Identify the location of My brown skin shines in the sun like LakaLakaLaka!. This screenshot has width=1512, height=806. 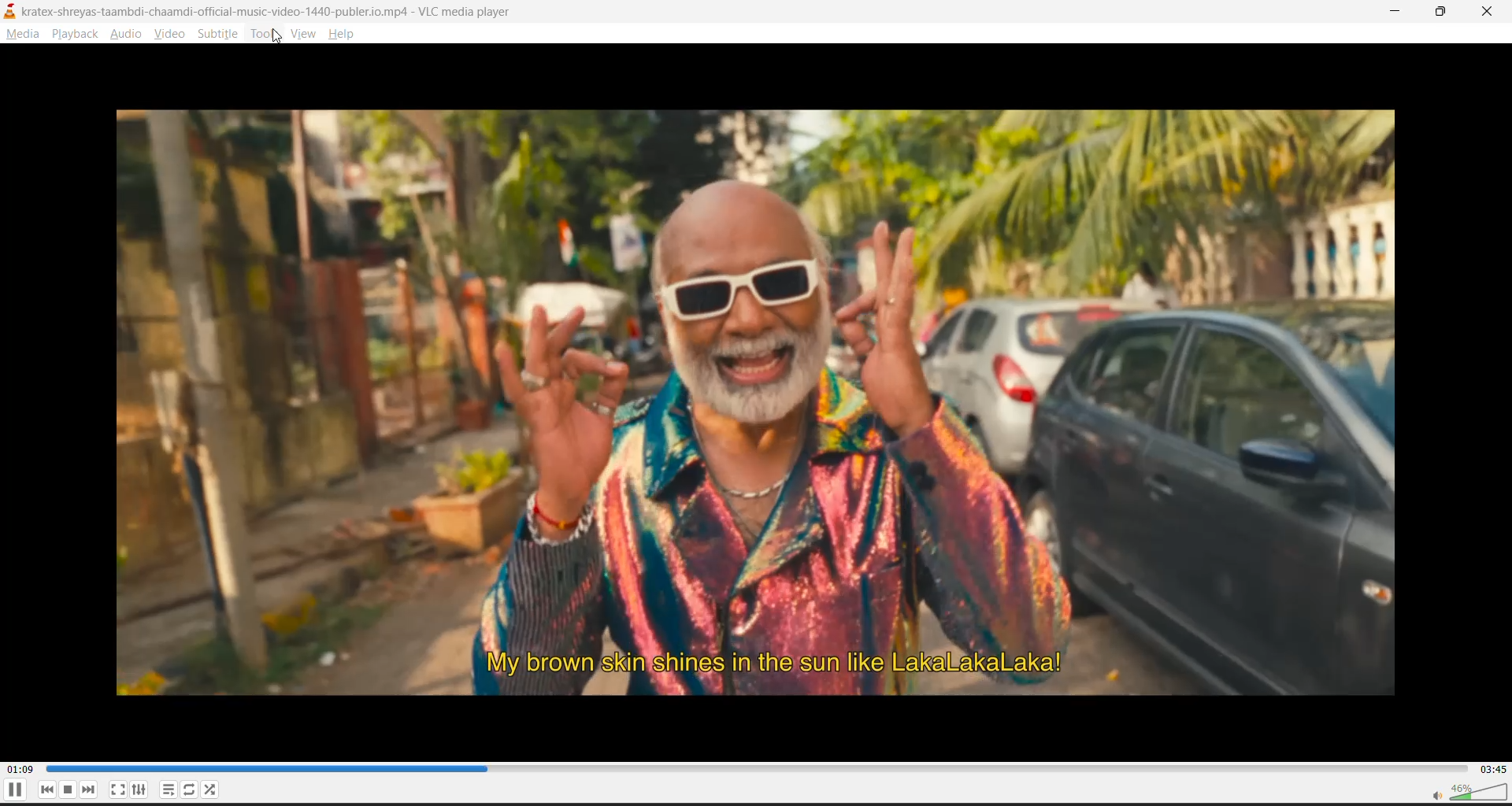
(802, 664).